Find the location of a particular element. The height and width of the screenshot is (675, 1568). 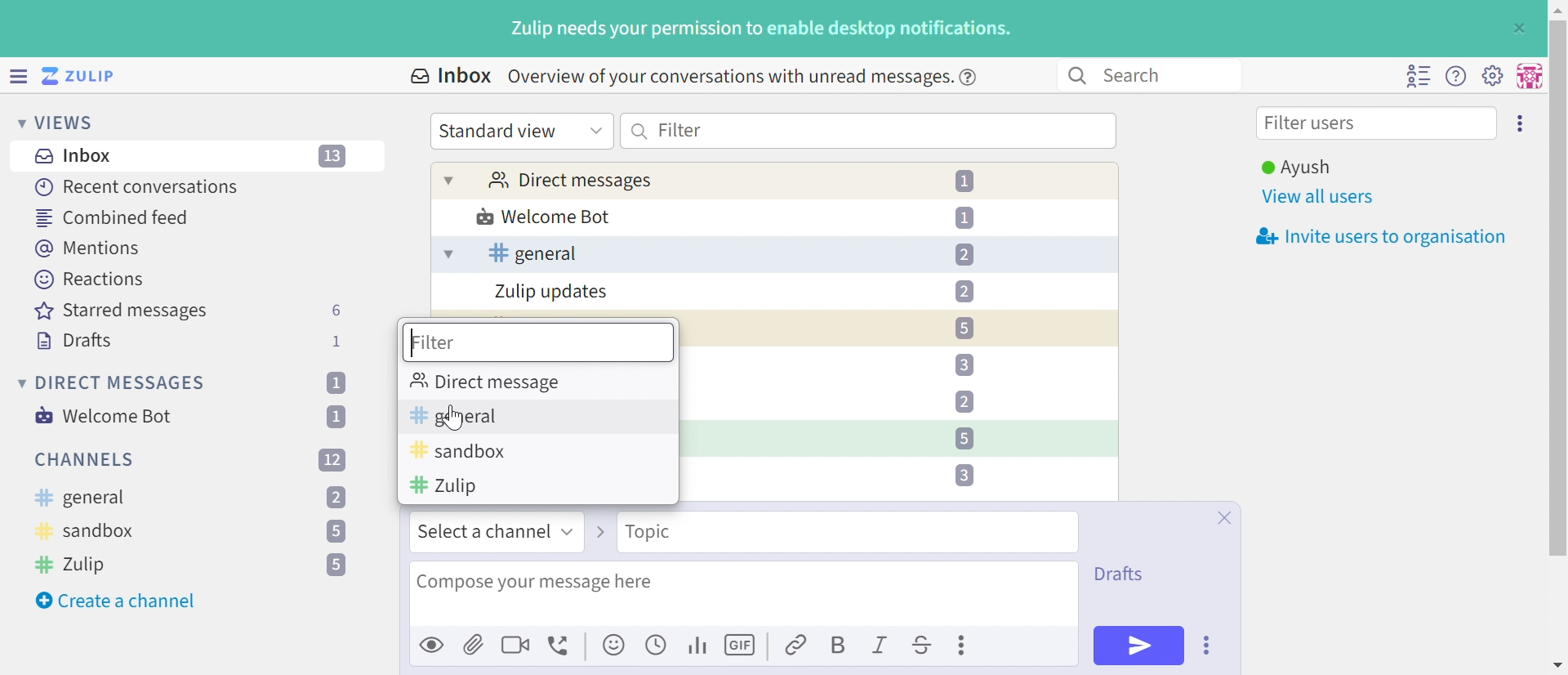

1 is located at coordinates (964, 217).